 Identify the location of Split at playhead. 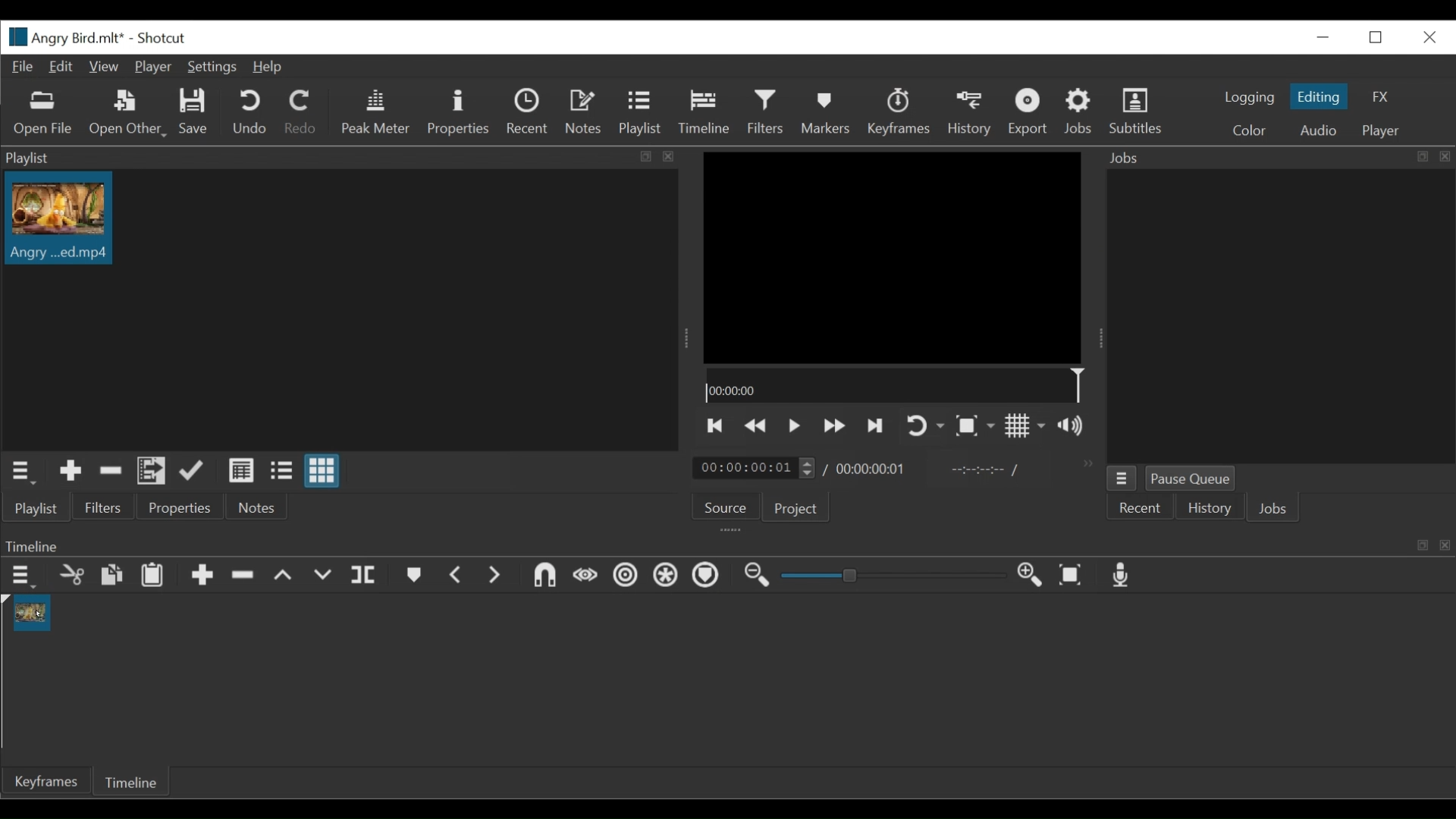
(365, 577).